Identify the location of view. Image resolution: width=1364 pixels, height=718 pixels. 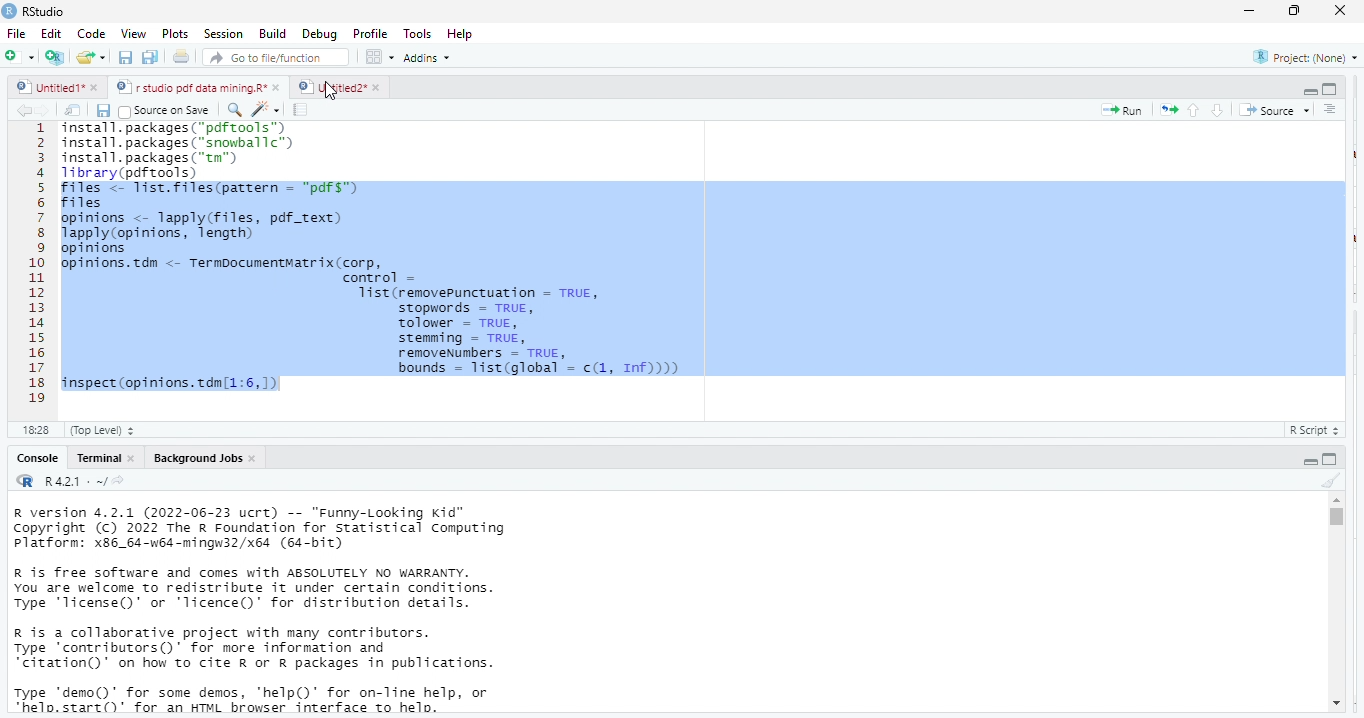
(128, 34).